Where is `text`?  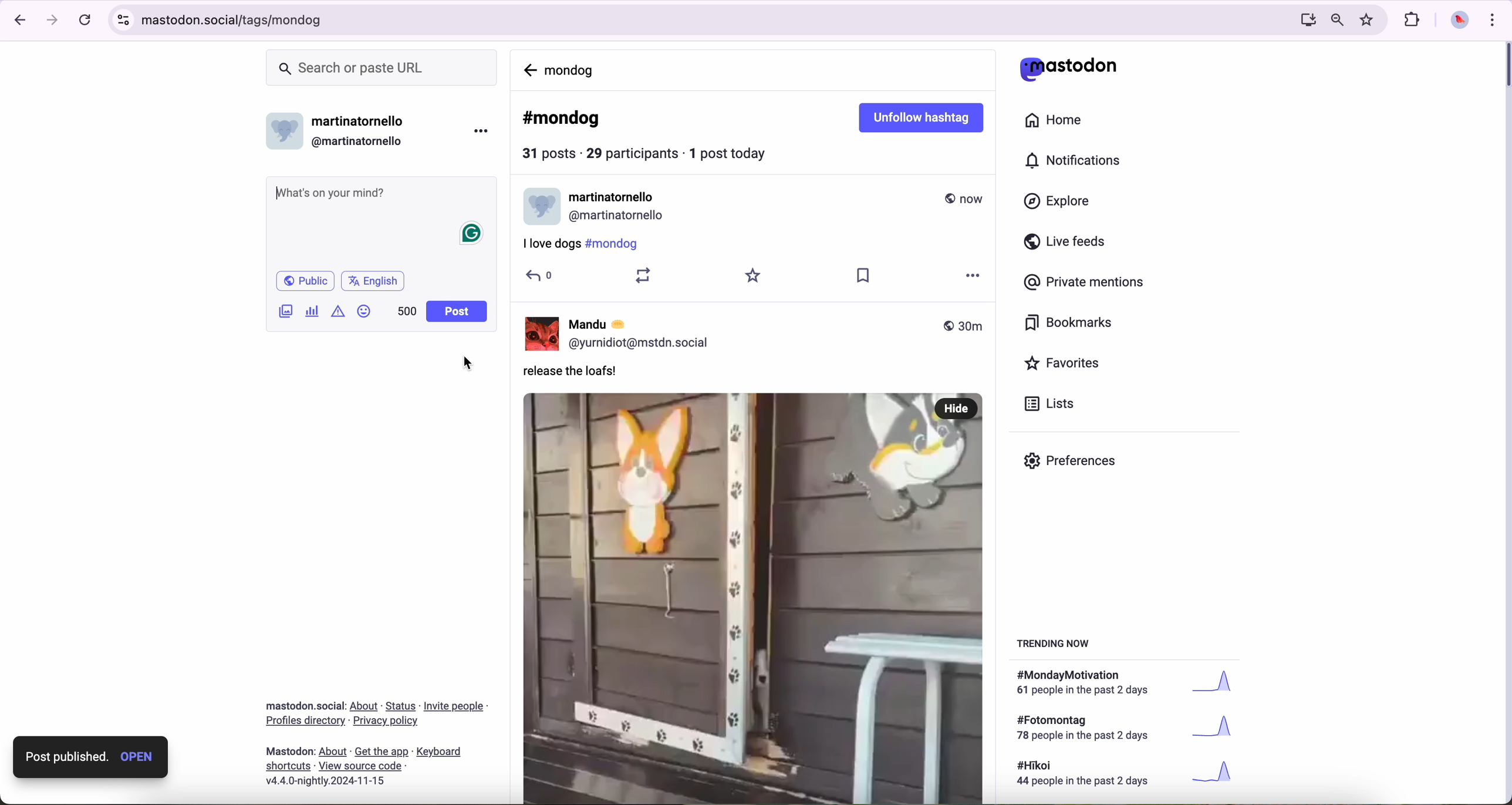 text is located at coordinates (1089, 775).